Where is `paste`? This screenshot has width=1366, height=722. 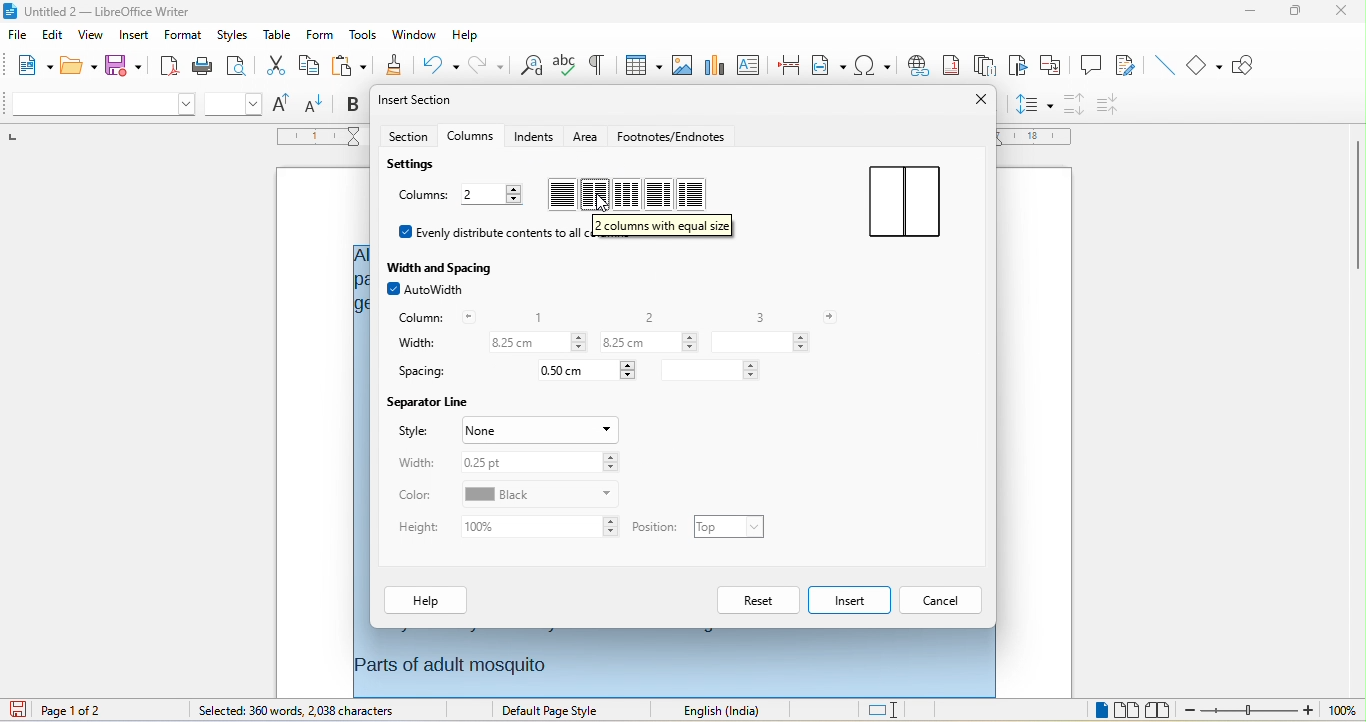
paste is located at coordinates (346, 65).